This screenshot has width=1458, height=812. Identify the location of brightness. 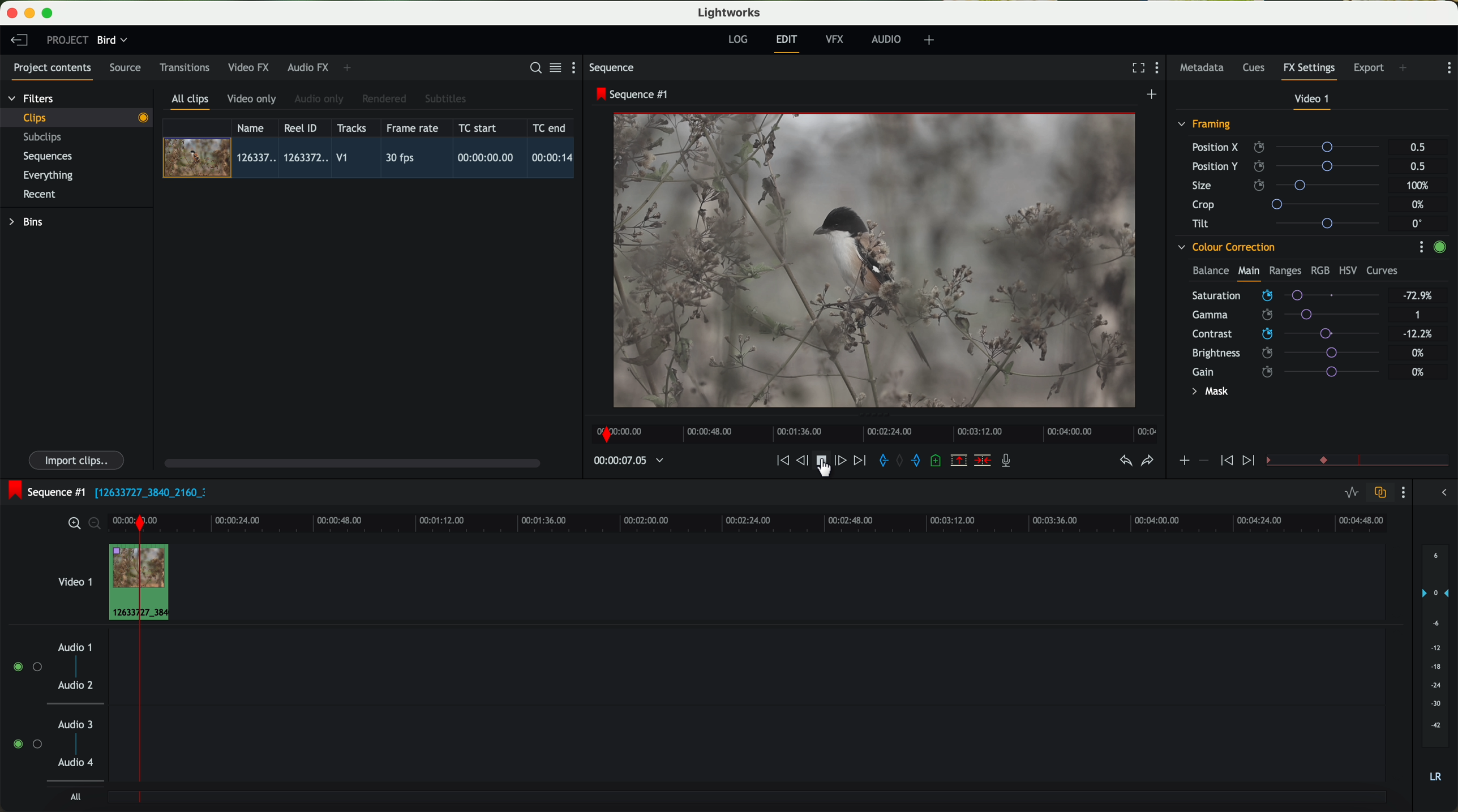
(1295, 353).